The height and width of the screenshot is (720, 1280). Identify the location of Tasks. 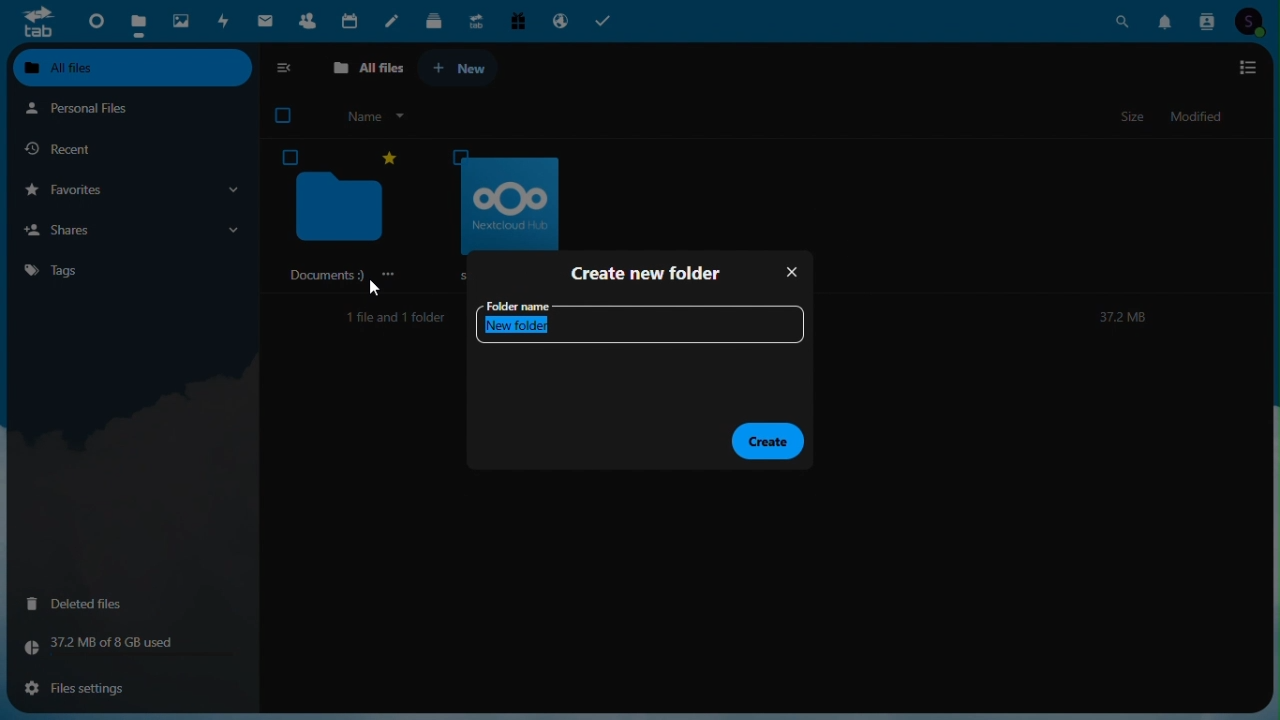
(604, 19).